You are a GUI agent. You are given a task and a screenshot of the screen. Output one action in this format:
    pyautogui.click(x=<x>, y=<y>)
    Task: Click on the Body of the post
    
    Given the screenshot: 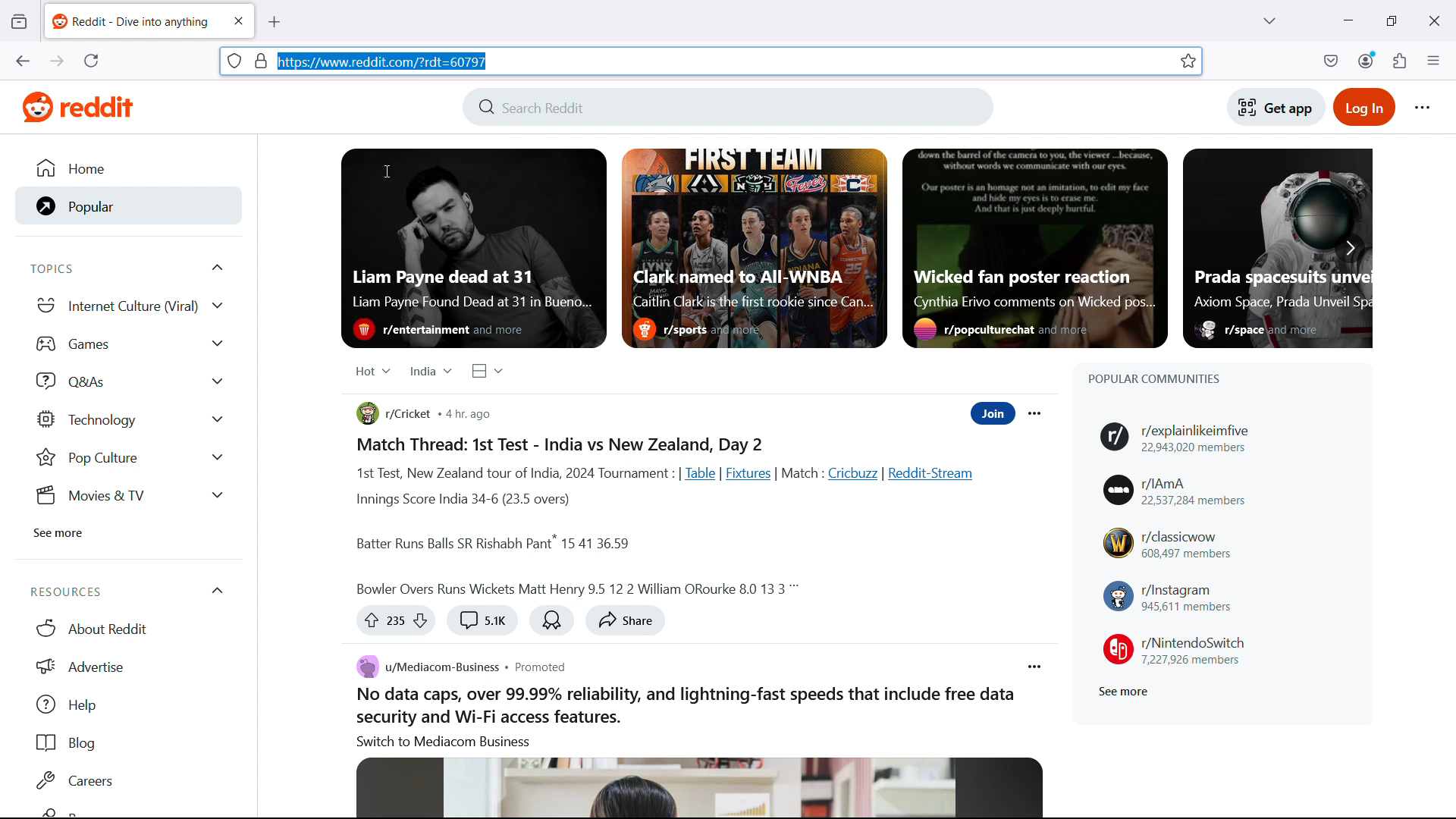 What is the action you would take?
    pyautogui.click(x=682, y=717)
    